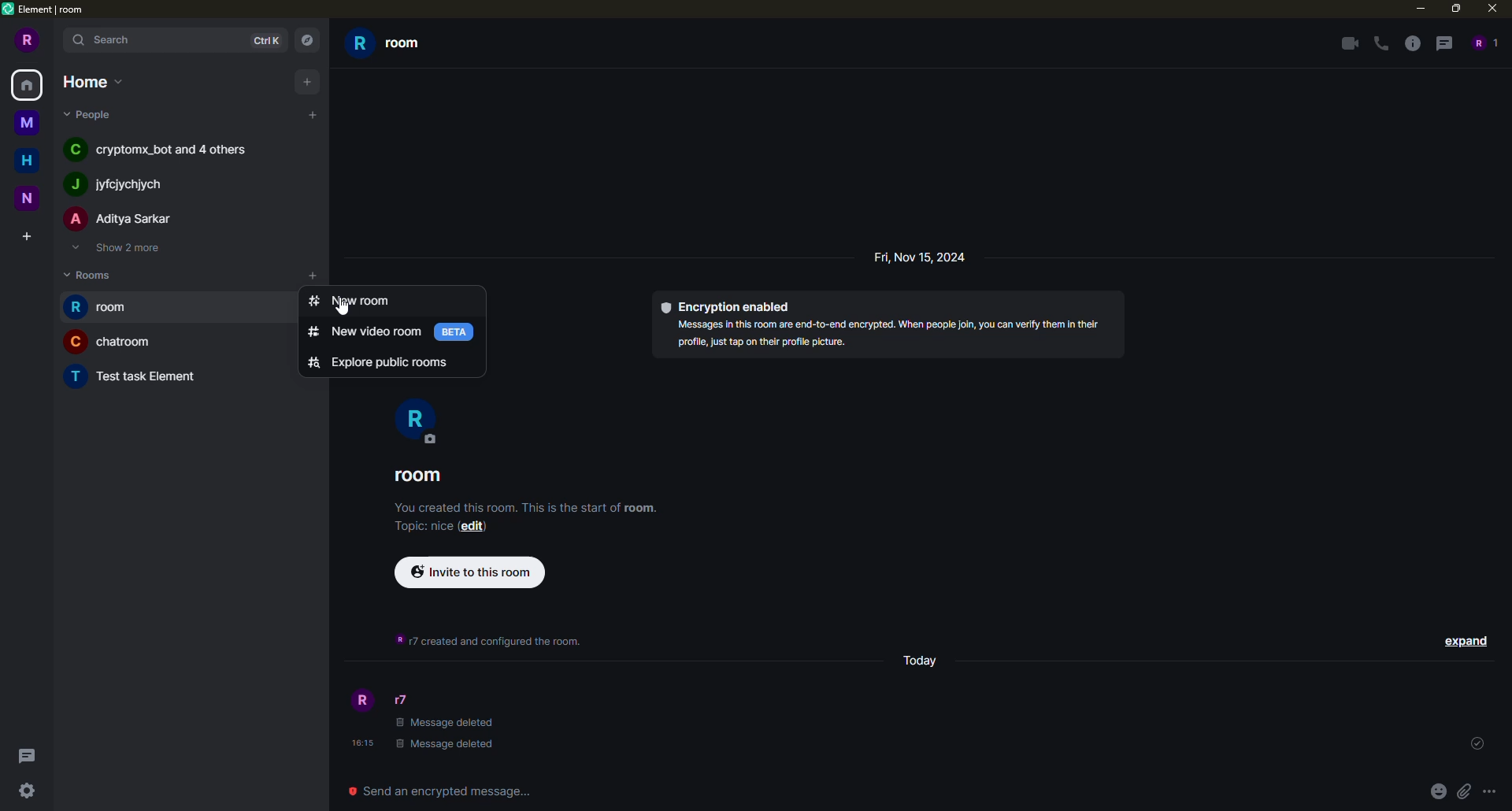 Image resolution: width=1512 pixels, height=811 pixels. What do you see at coordinates (1417, 8) in the screenshot?
I see `minimize` at bounding box center [1417, 8].